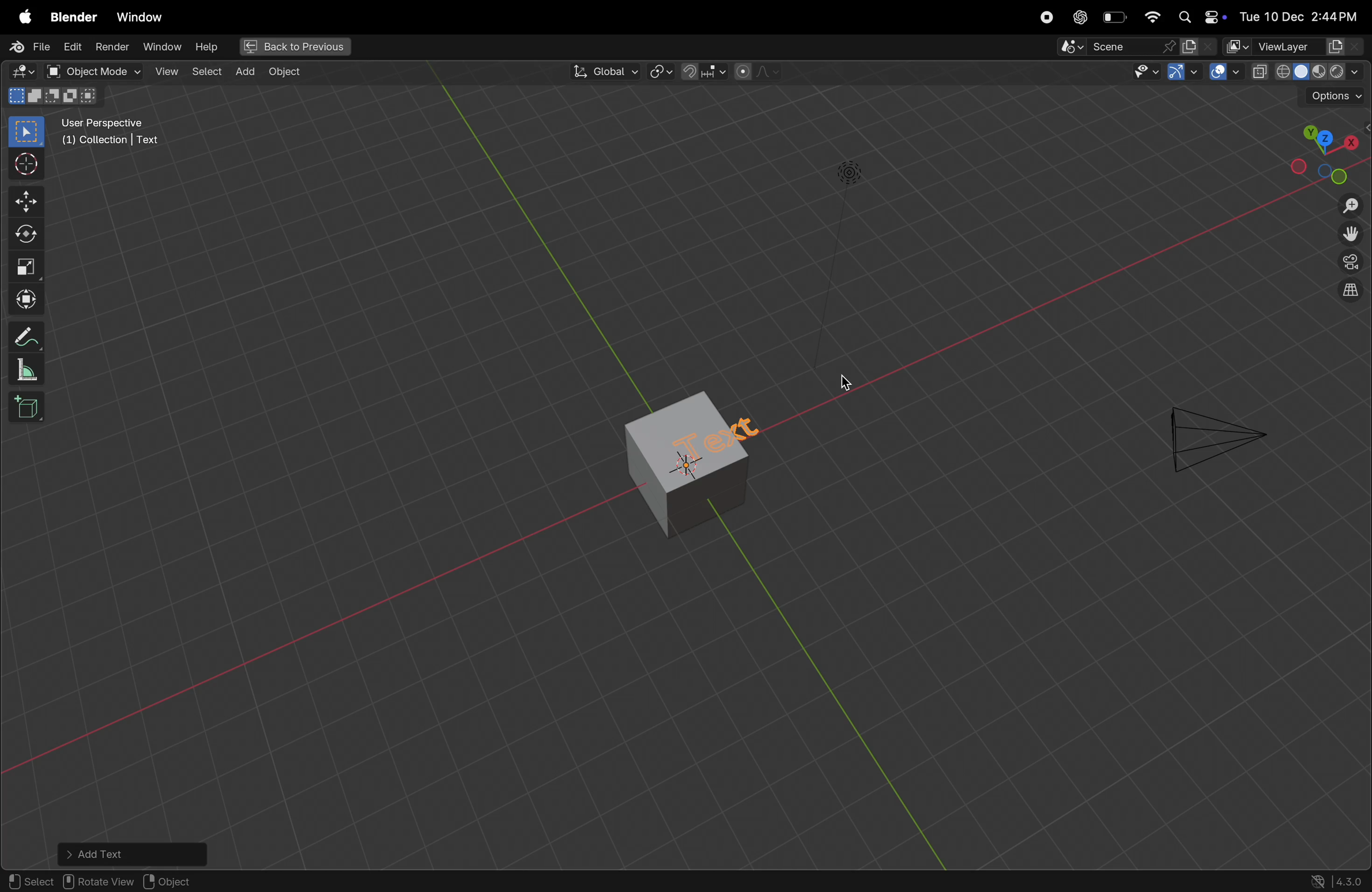 Image resolution: width=1372 pixels, height=892 pixels. Describe the element at coordinates (207, 74) in the screenshot. I see `select` at that location.